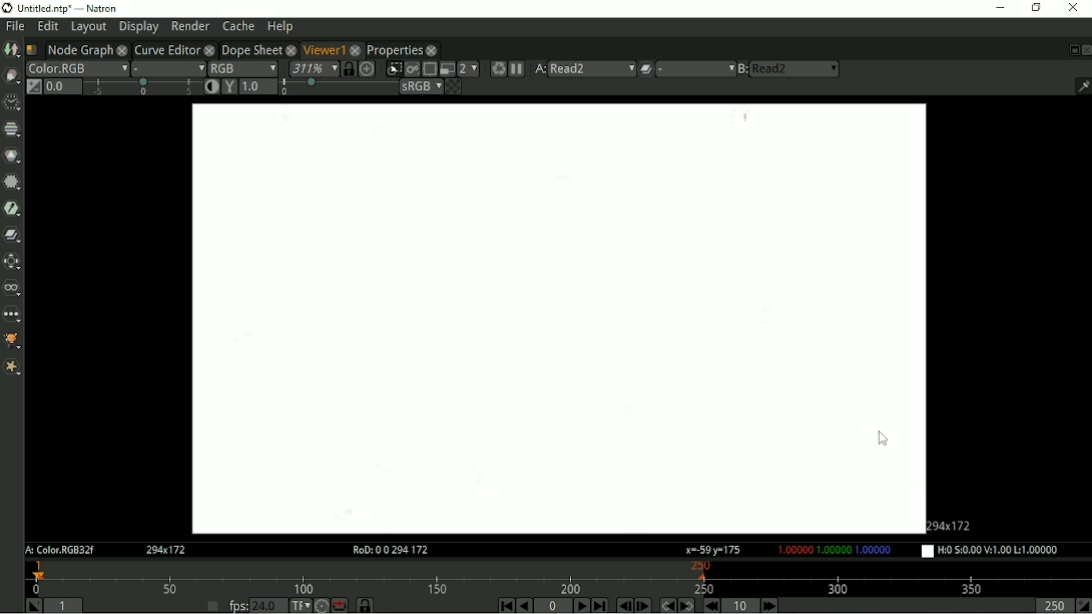 The image size is (1092, 614). What do you see at coordinates (540, 69) in the screenshot?
I see `A` at bounding box center [540, 69].